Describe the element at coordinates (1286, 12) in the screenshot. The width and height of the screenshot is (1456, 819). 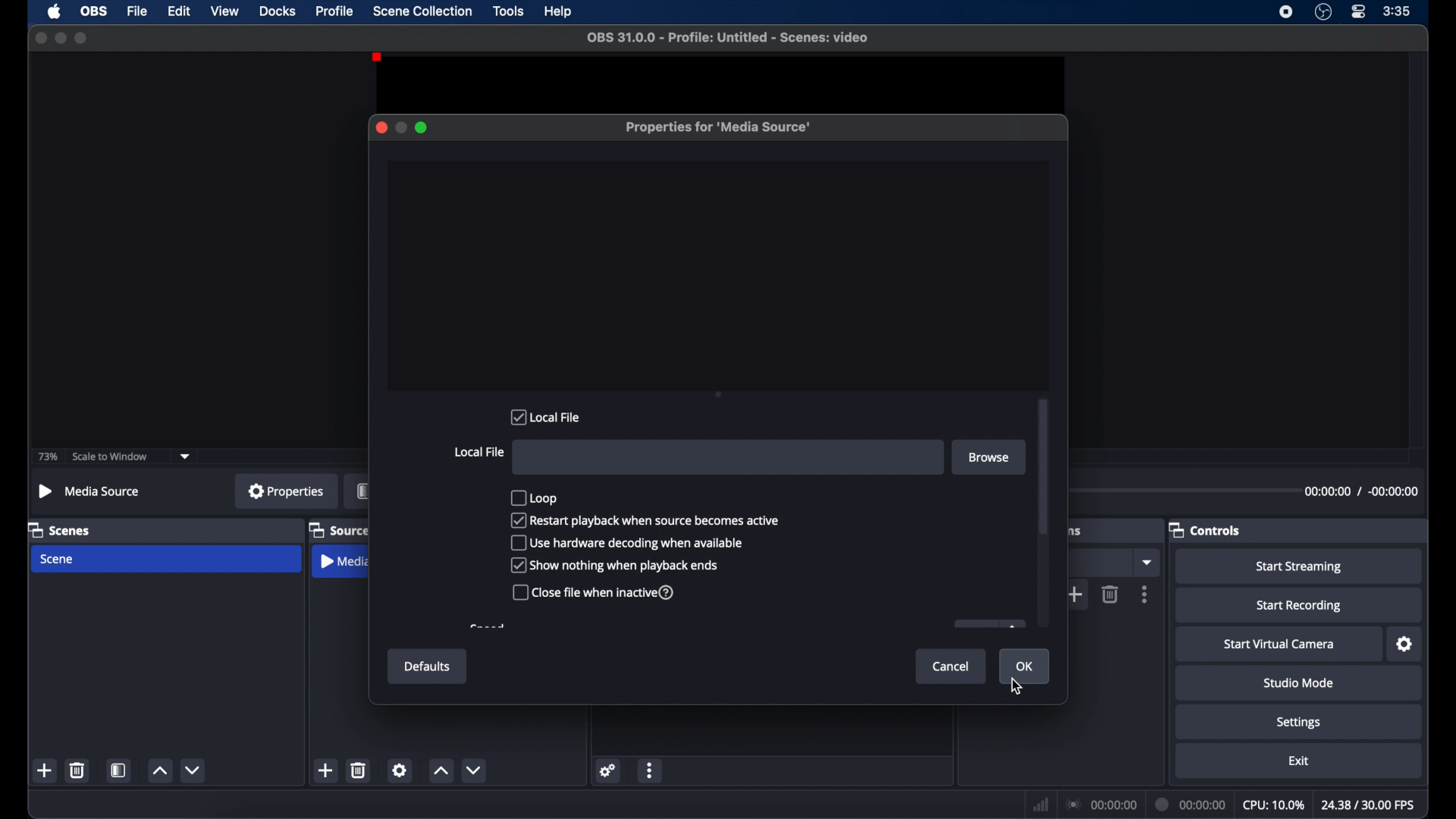
I see `screen recording` at that location.